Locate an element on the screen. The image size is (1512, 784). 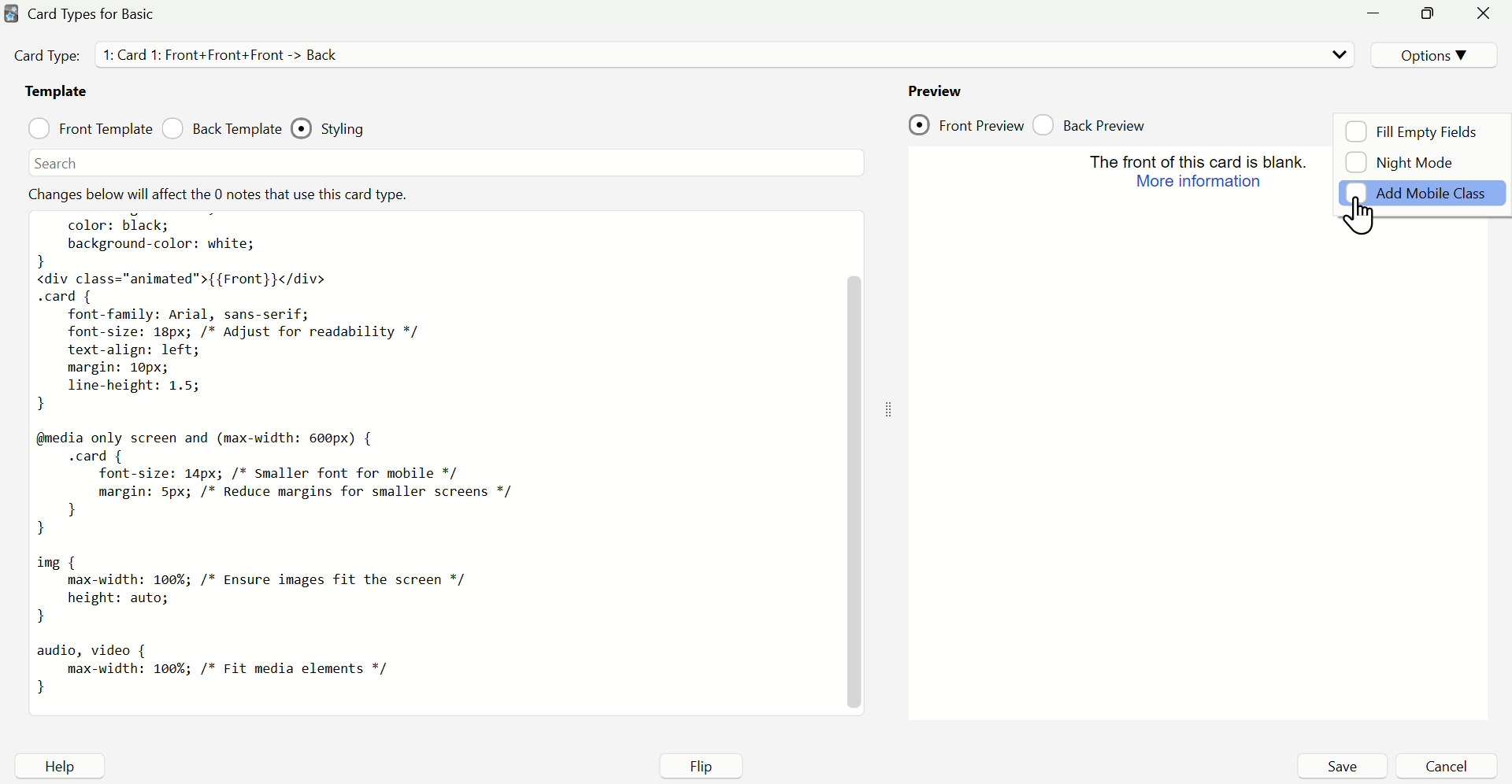
Back Template is located at coordinates (221, 131).